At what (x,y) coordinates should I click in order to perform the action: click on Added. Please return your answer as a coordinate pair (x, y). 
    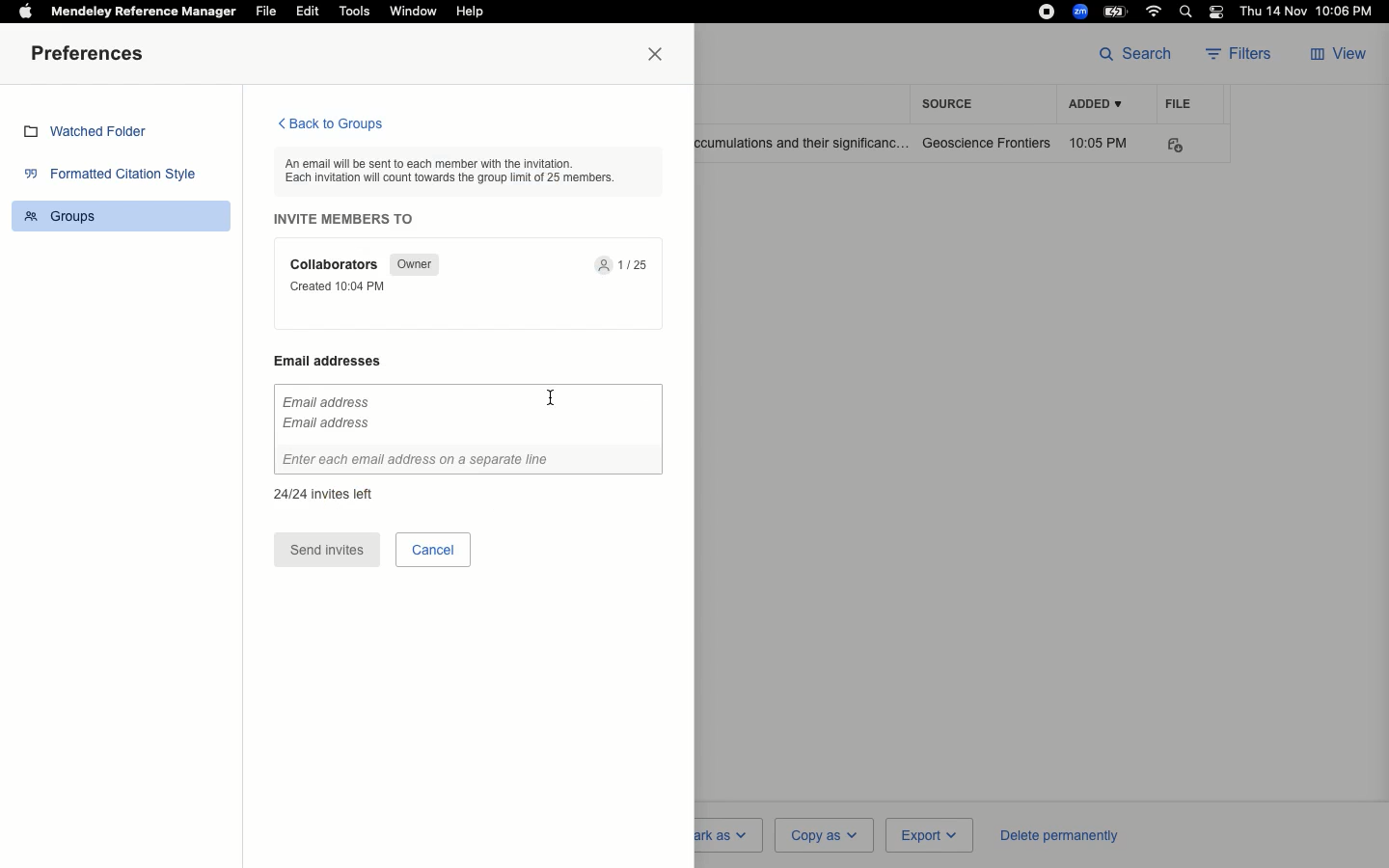
    Looking at the image, I should click on (1094, 105).